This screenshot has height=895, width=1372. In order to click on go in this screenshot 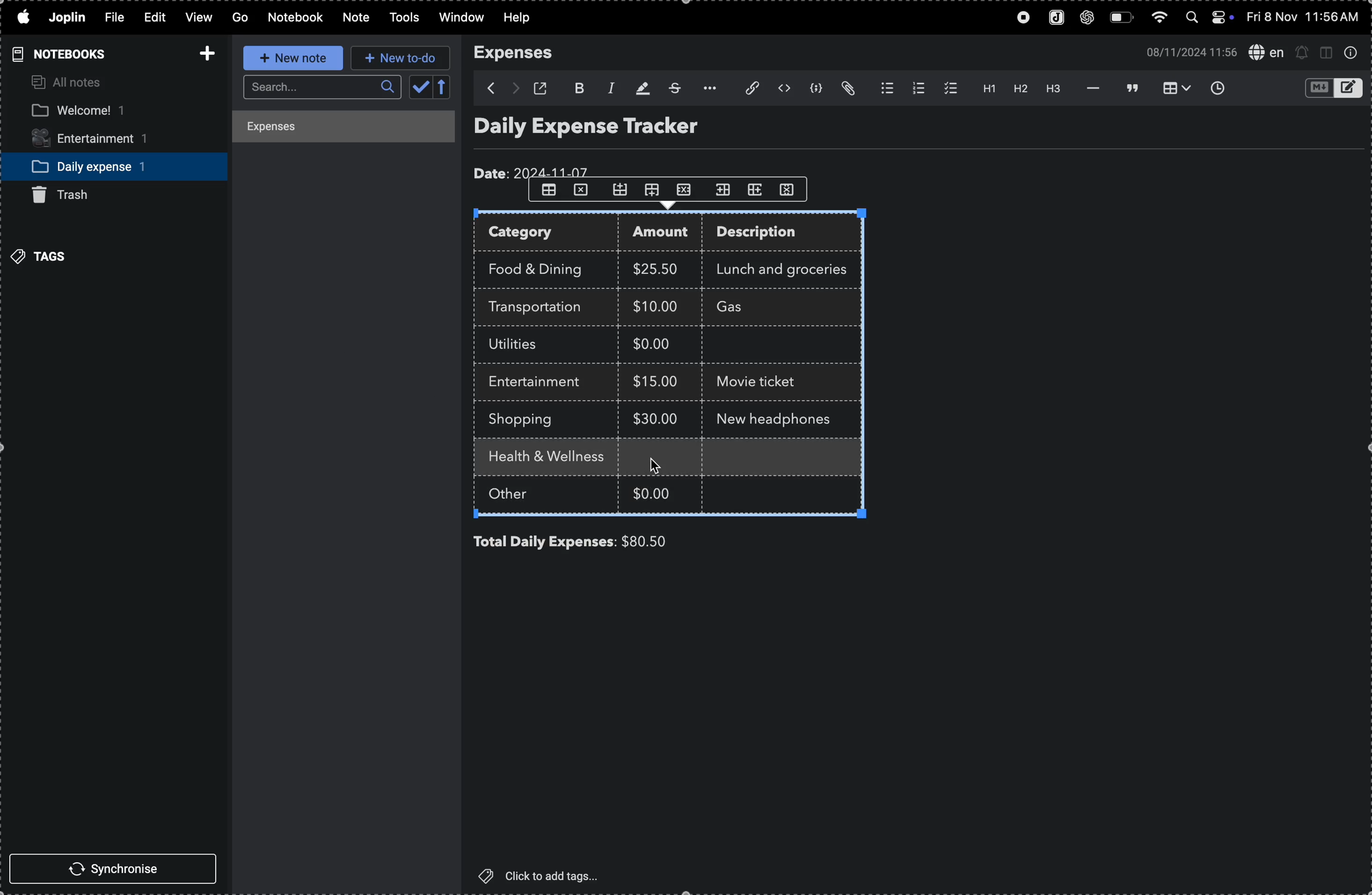, I will do `click(239, 18)`.